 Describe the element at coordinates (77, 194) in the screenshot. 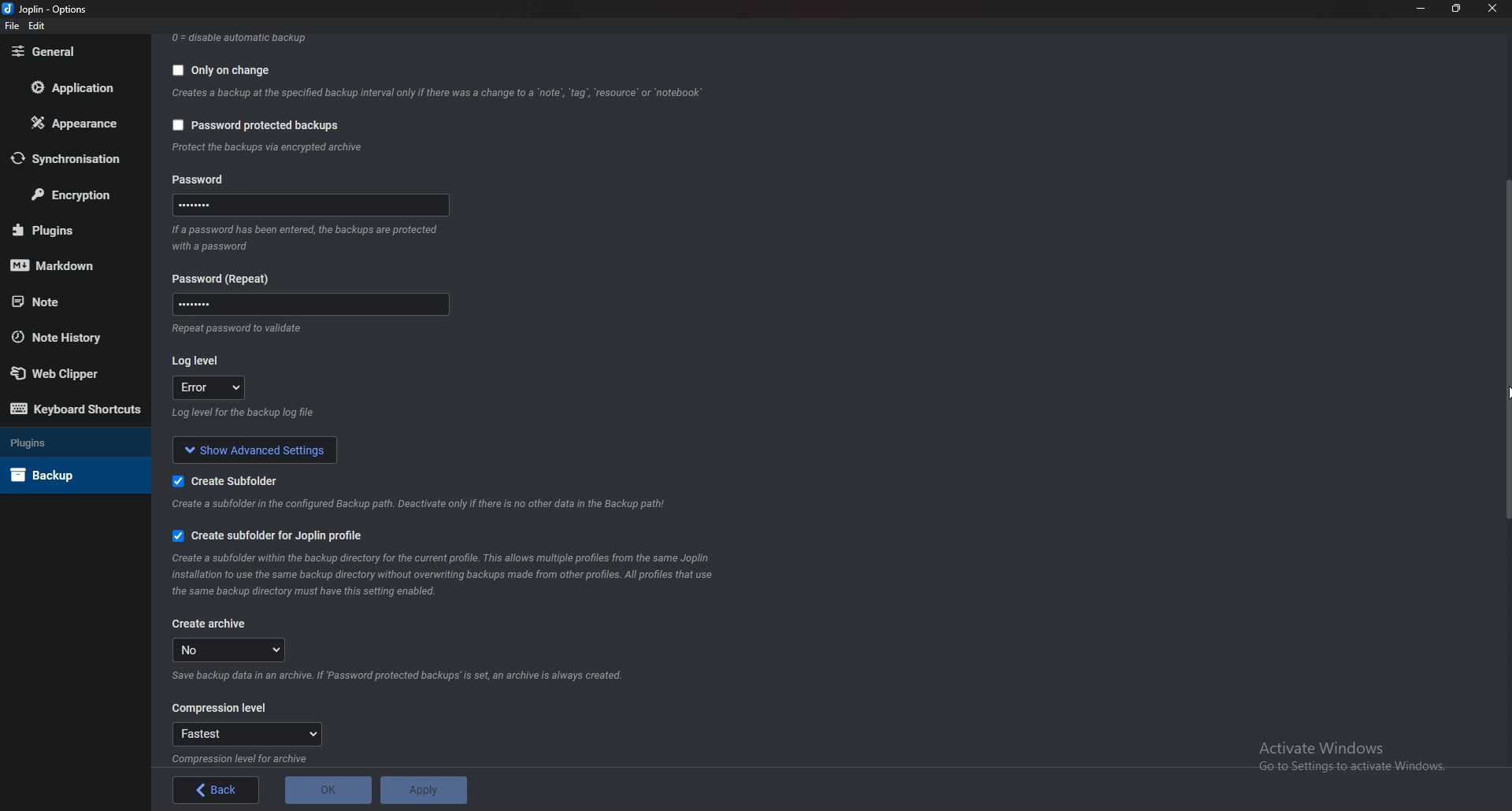

I see `Encryption` at that location.